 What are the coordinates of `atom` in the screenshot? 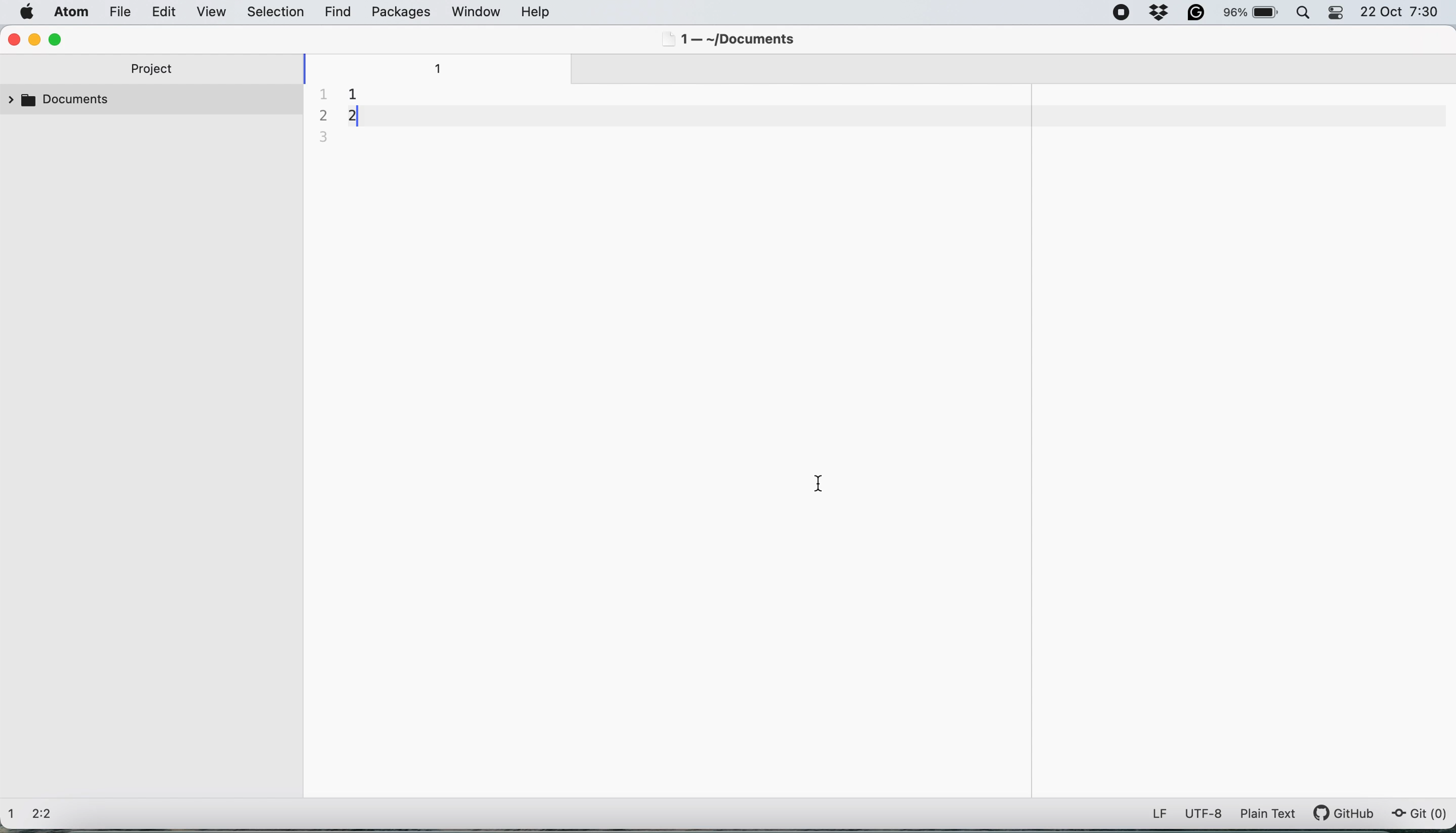 It's located at (74, 14).